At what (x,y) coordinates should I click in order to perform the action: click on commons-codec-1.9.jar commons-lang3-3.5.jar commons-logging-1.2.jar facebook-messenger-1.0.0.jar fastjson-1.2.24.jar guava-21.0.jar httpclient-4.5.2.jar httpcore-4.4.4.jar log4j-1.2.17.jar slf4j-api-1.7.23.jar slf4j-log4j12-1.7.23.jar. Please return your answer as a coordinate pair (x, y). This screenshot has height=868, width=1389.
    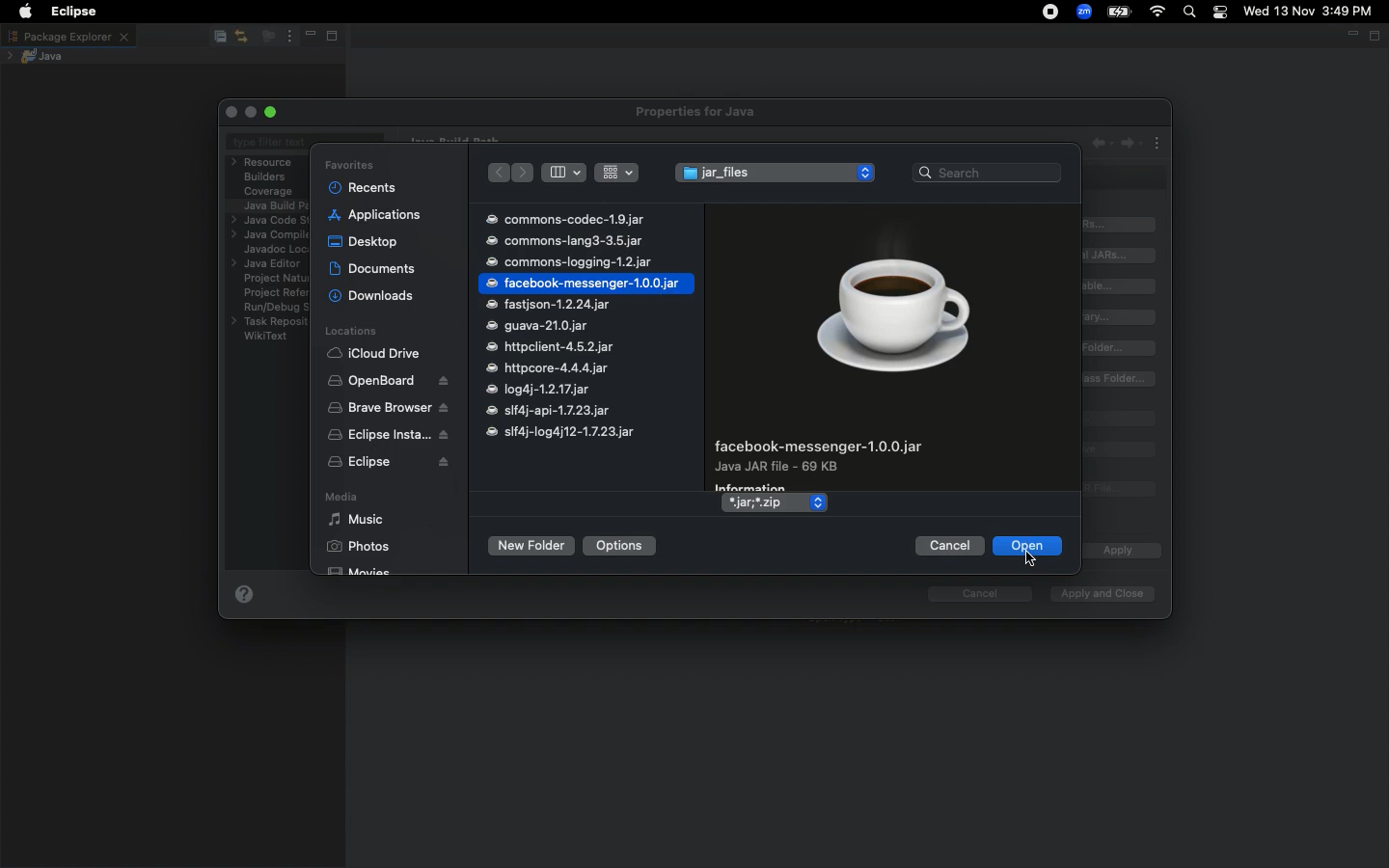
    Looking at the image, I should click on (587, 326).